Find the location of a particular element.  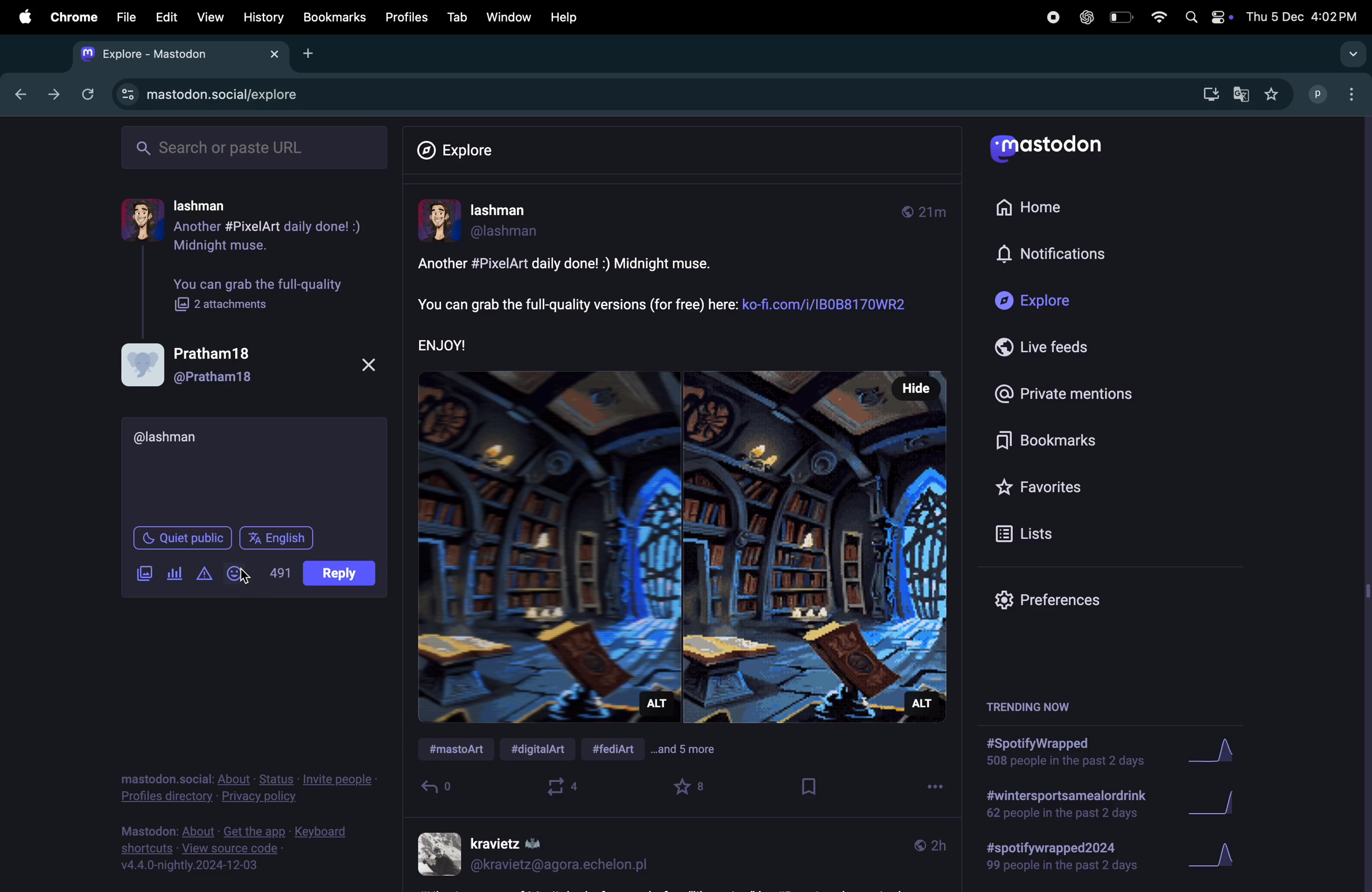

download mastdon is located at coordinates (1208, 92).